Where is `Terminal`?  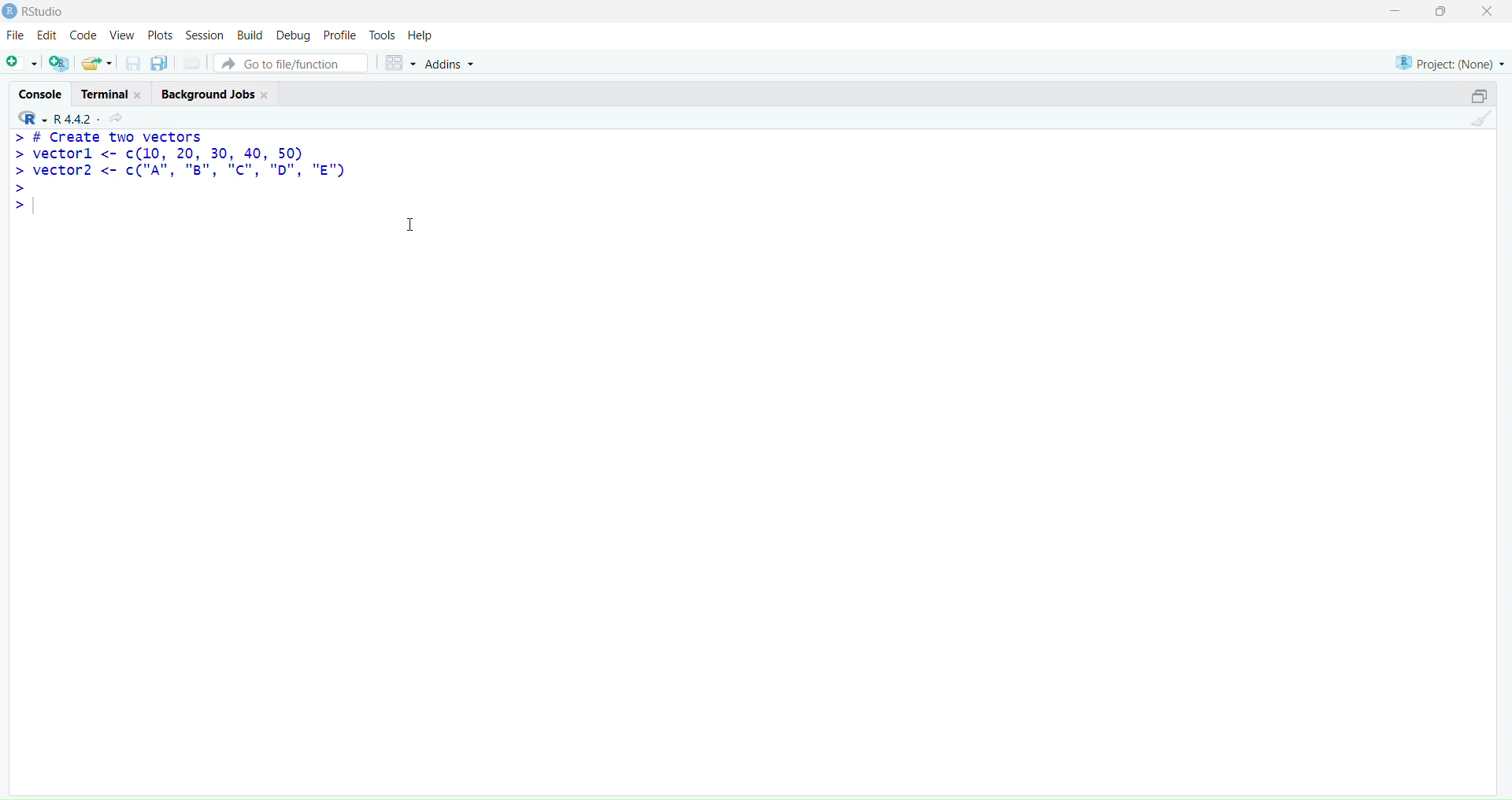
Terminal is located at coordinates (109, 94).